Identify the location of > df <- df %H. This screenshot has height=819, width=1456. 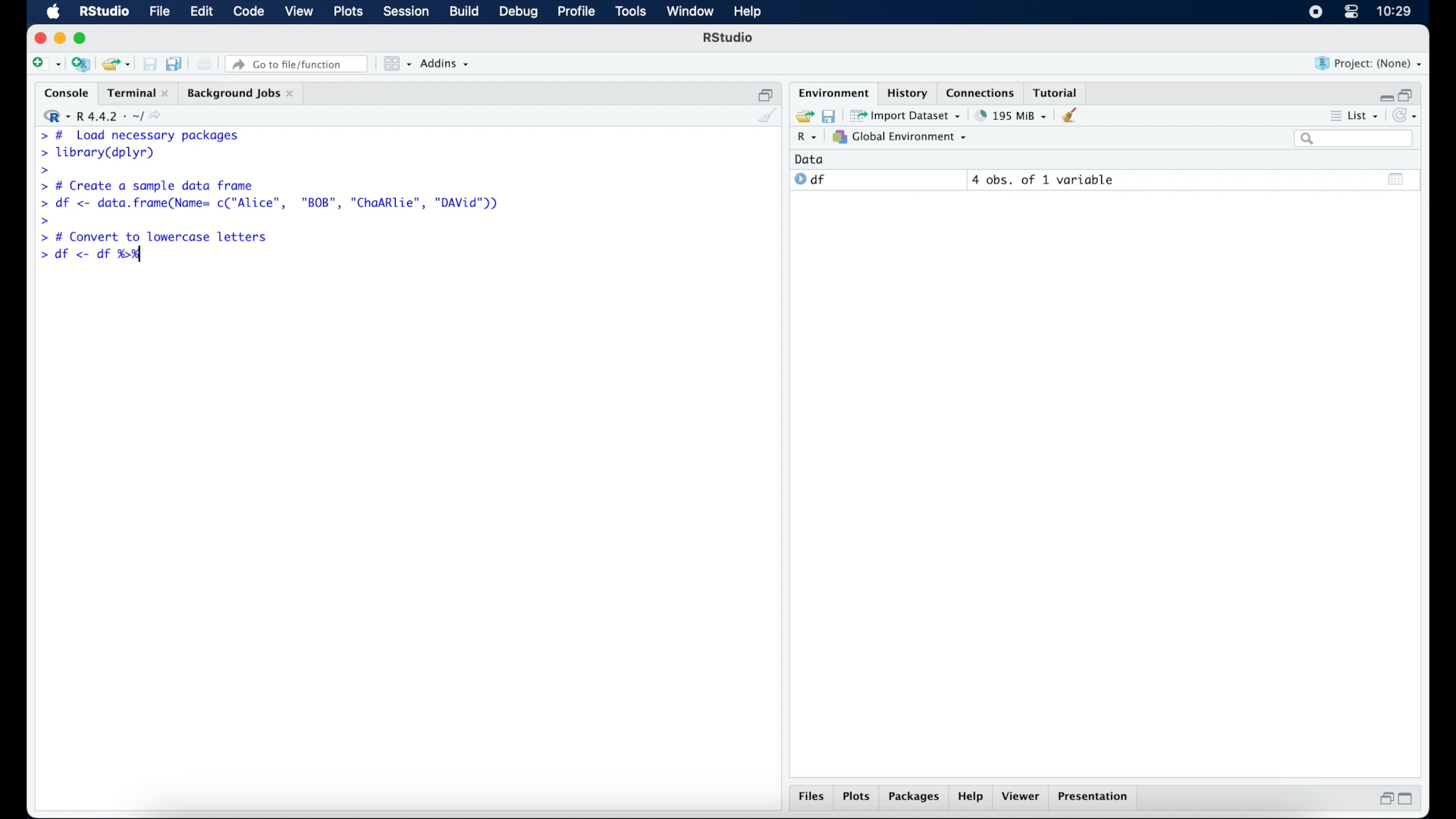
(96, 256).